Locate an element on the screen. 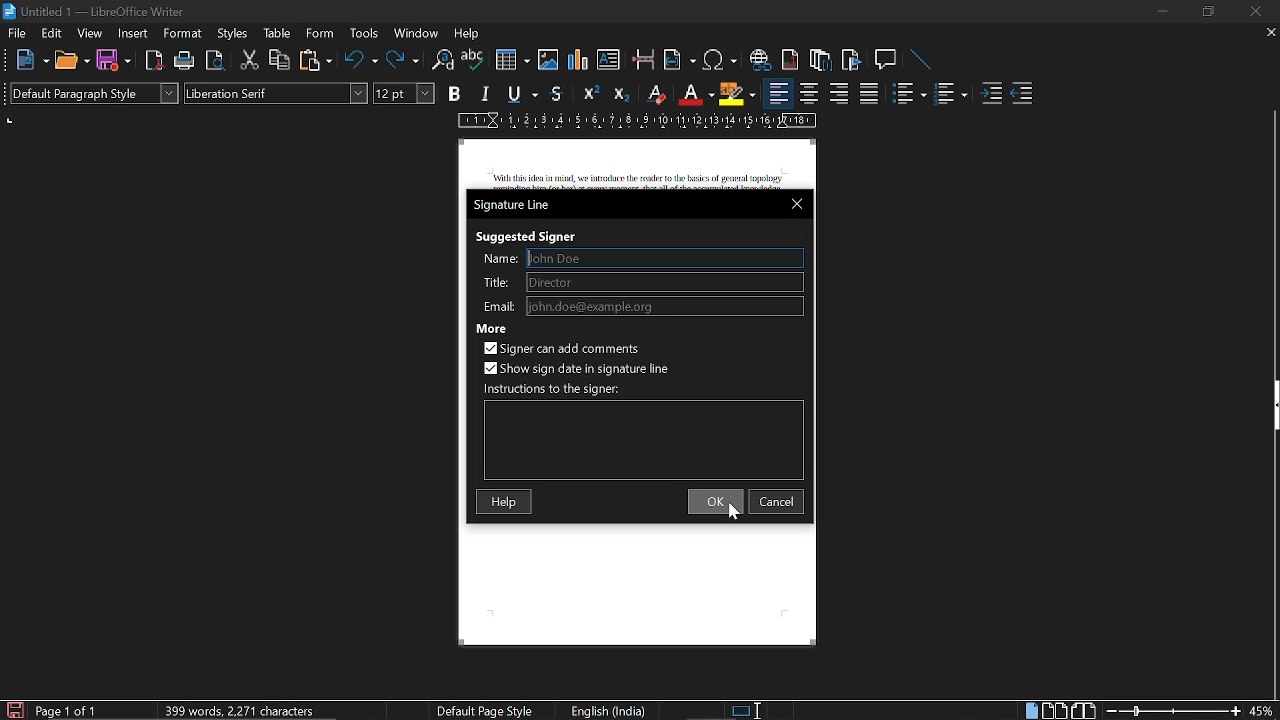 The width and height of the screenshot is (1280, 720). save  is located at coordinates (14, 709).